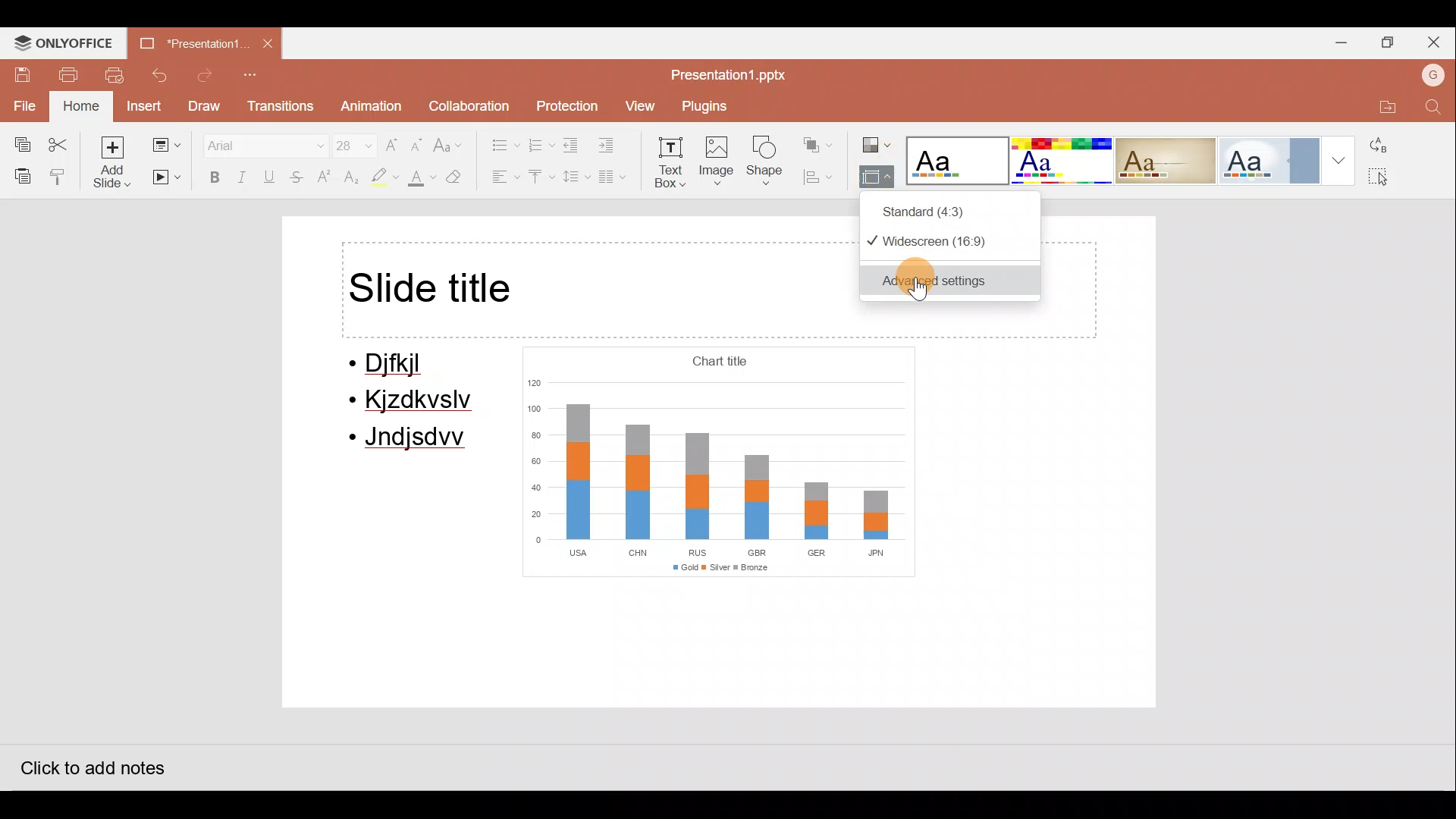 The width and height of the screenshot is (1456, 819). I want to click on Vertical align, so click(540, 178).